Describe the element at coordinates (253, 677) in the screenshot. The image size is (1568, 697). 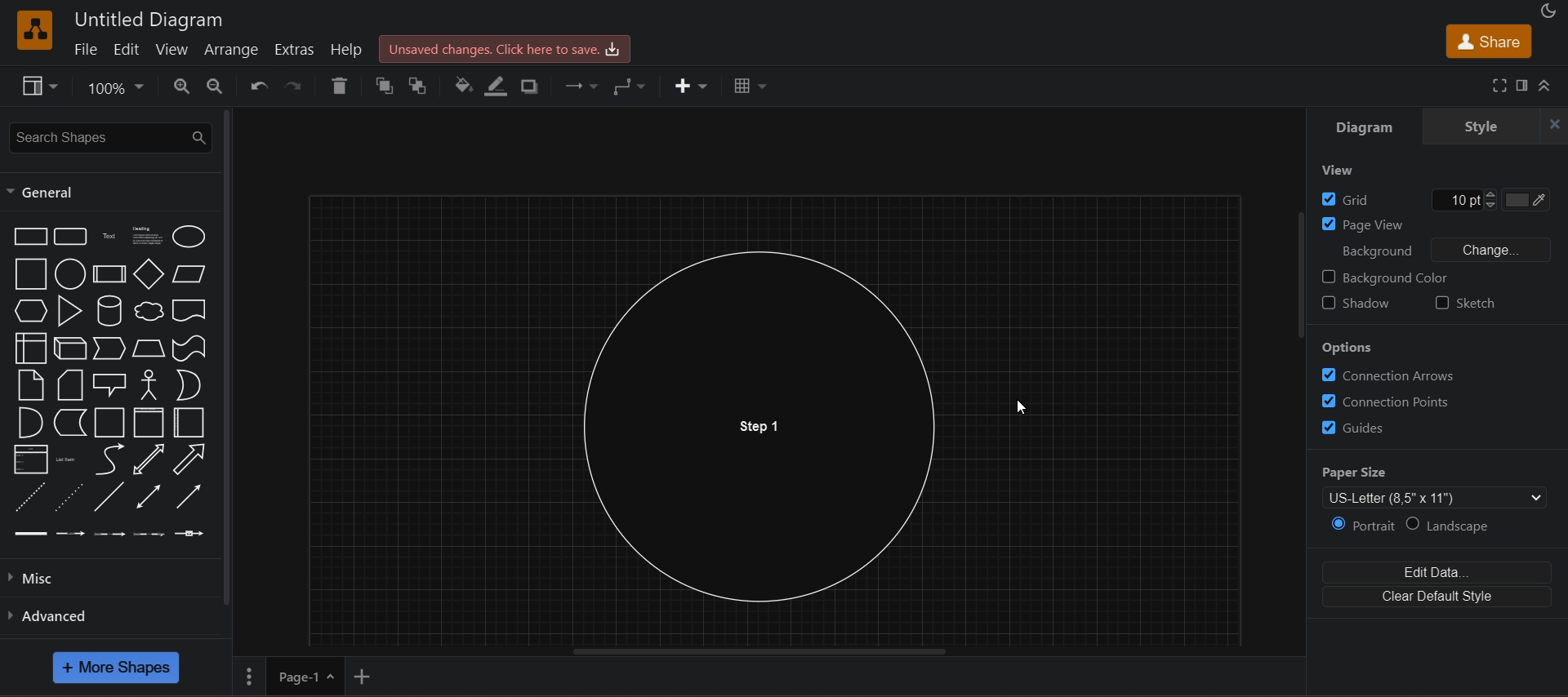
I see `More Options` at that location.